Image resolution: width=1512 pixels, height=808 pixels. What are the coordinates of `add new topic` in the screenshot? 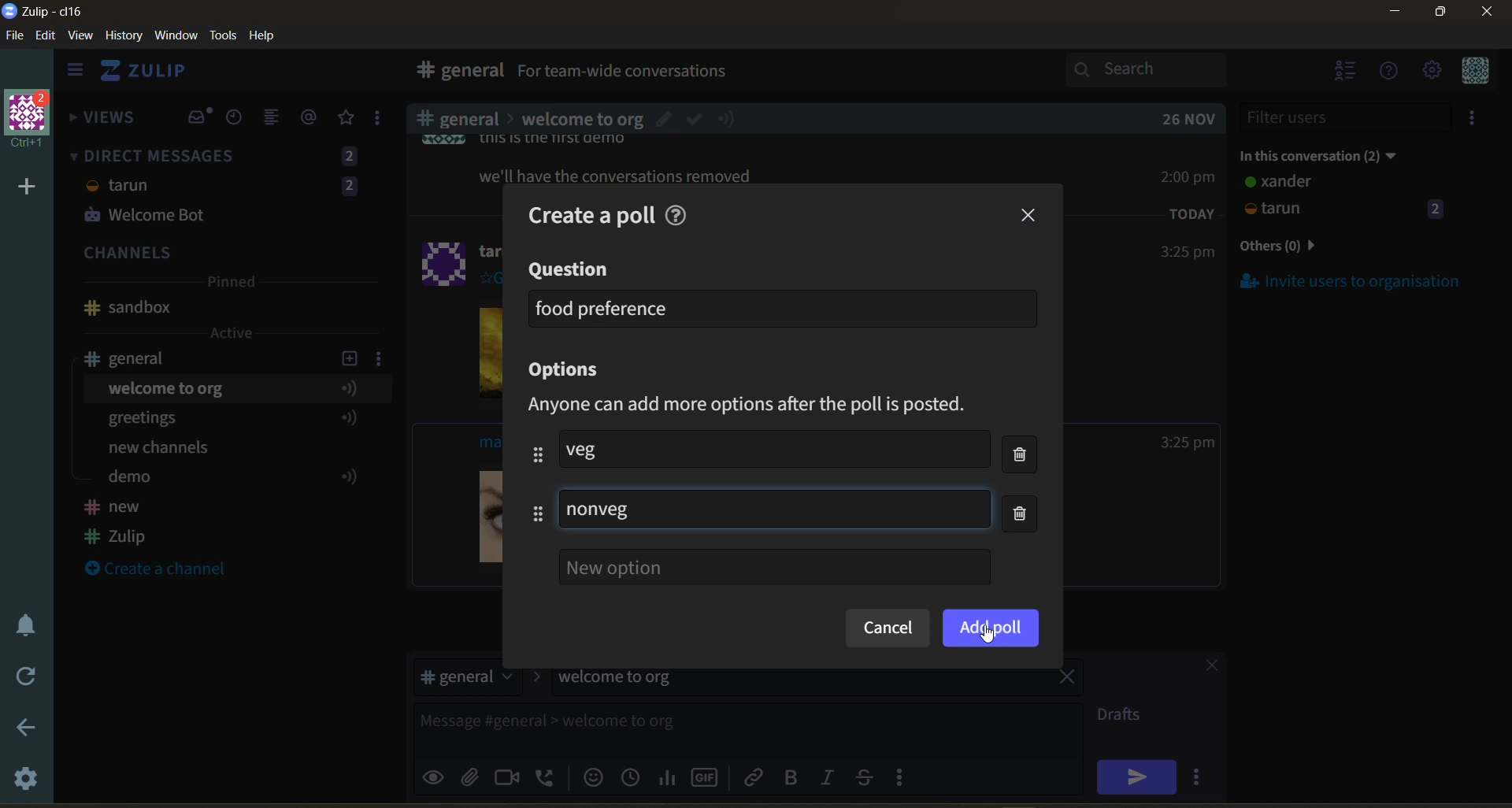 It's located at (348, 356).